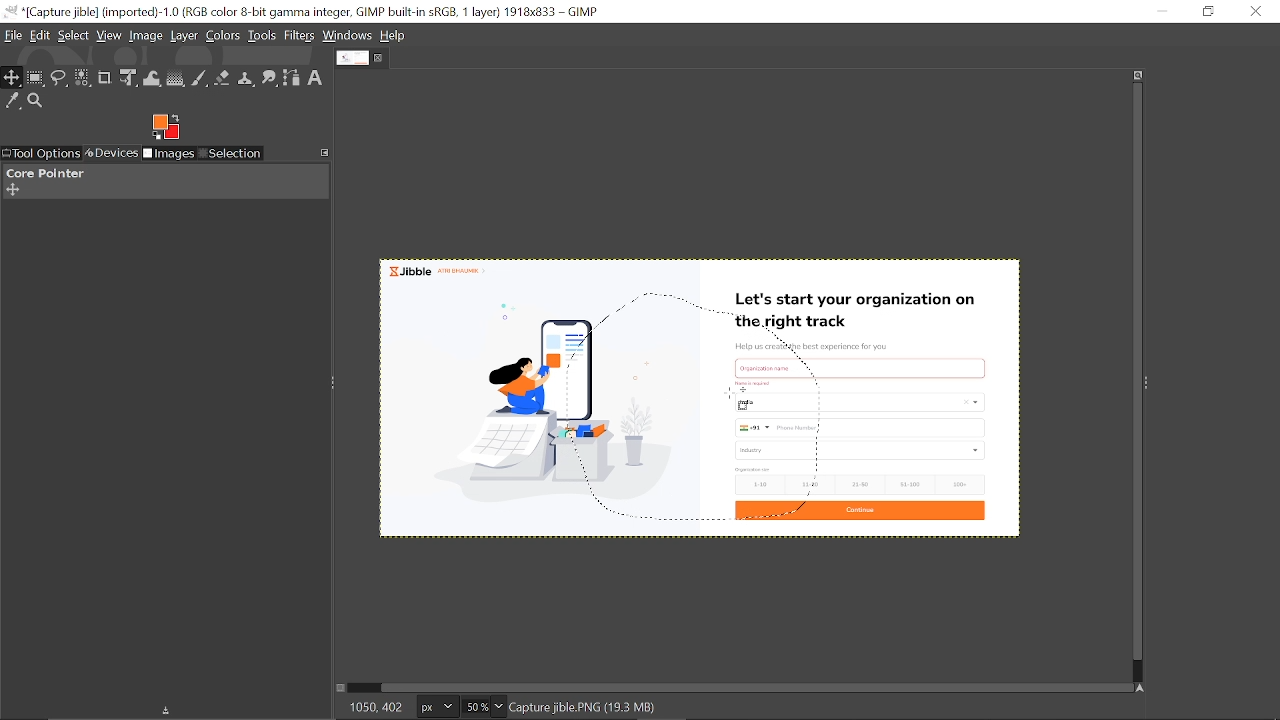  What do you see at coordinates (1161, 10) in the screenshot?
I see `Minimize` at bounding box center [1161, 10].